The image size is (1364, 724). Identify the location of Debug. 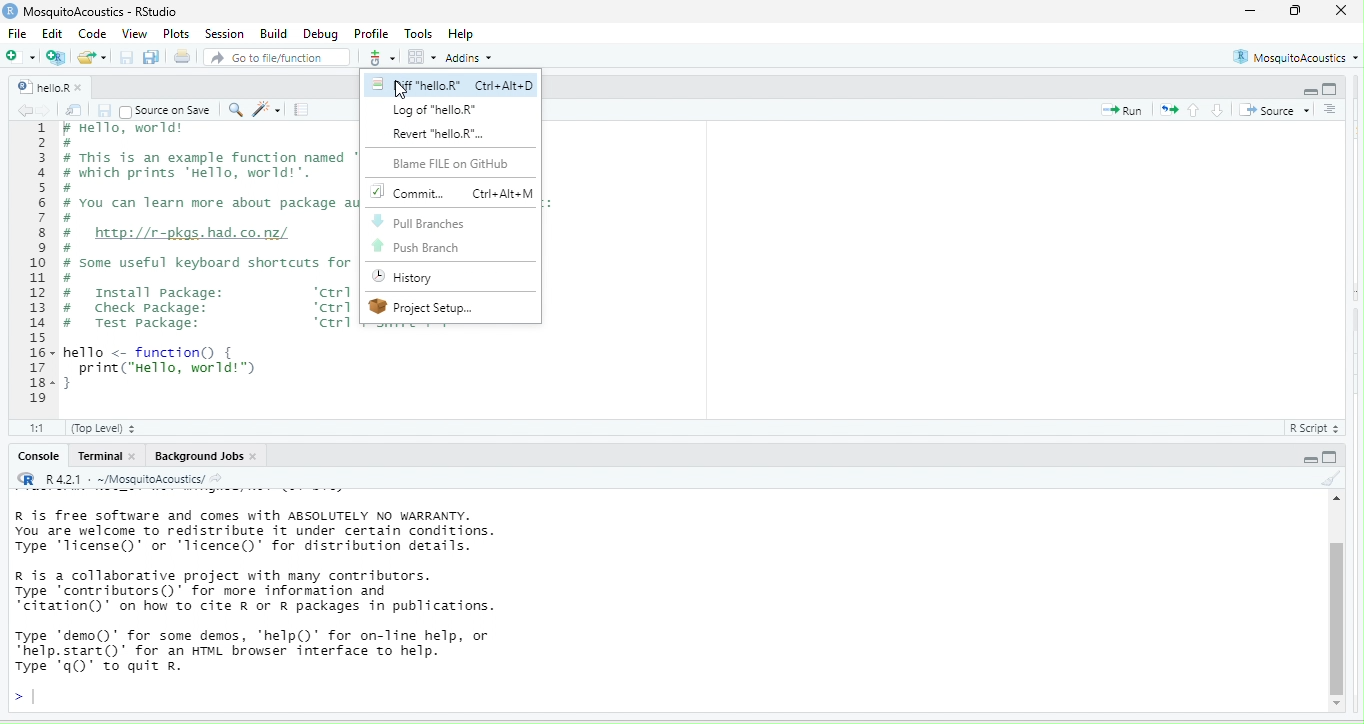
(318, 34).